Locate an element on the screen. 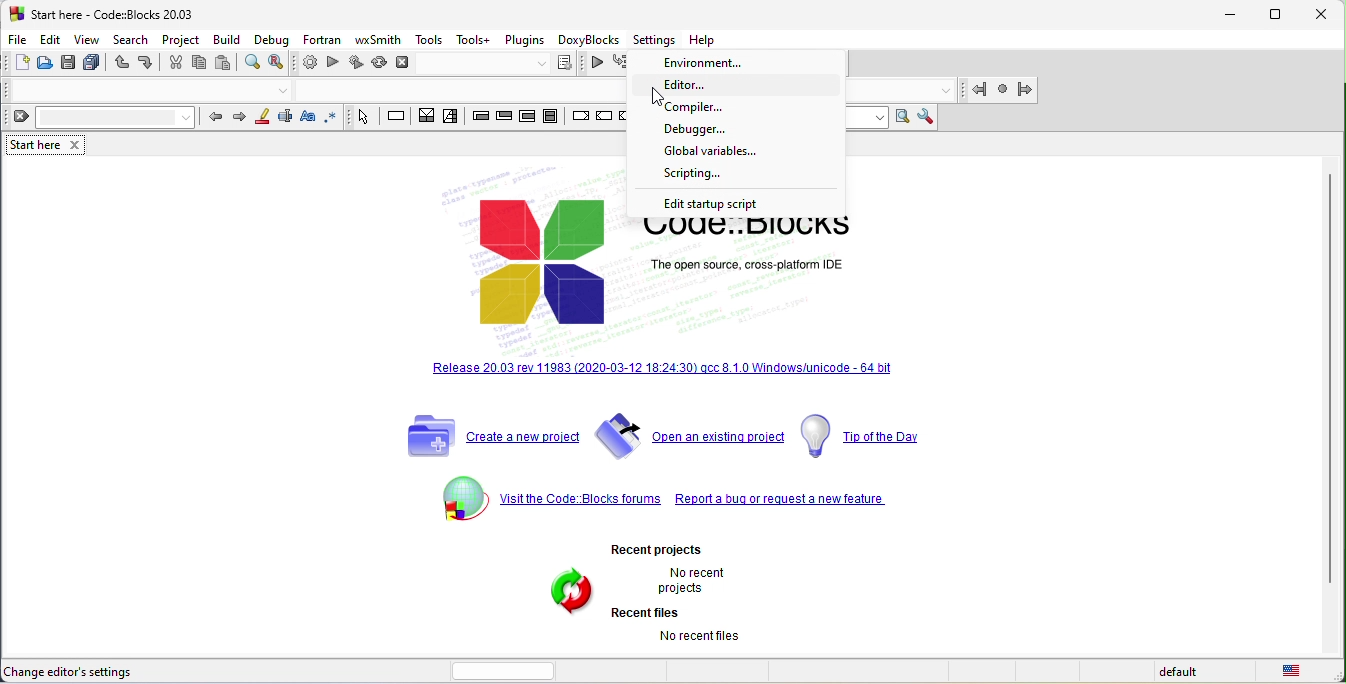 The width and height of the screenshot is (1346, 684). tools is located at coordinates (431, 40).